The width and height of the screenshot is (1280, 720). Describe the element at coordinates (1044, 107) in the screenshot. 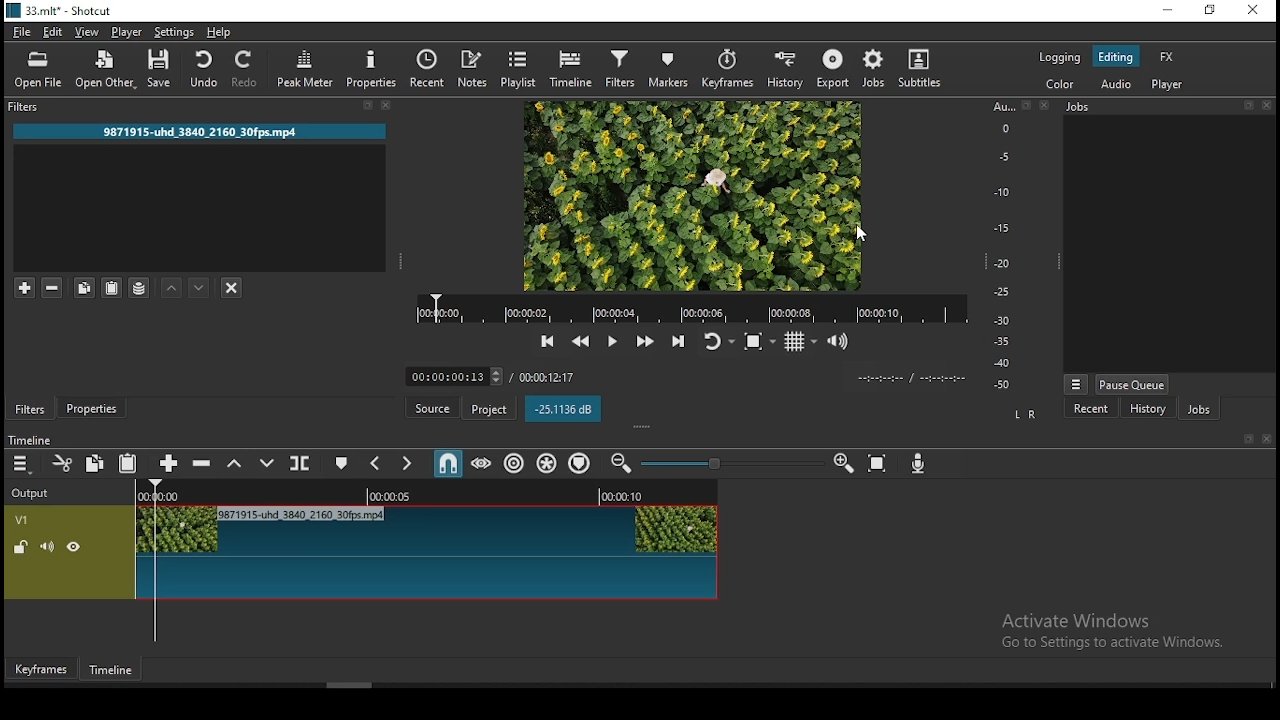

I see `close` at that location.